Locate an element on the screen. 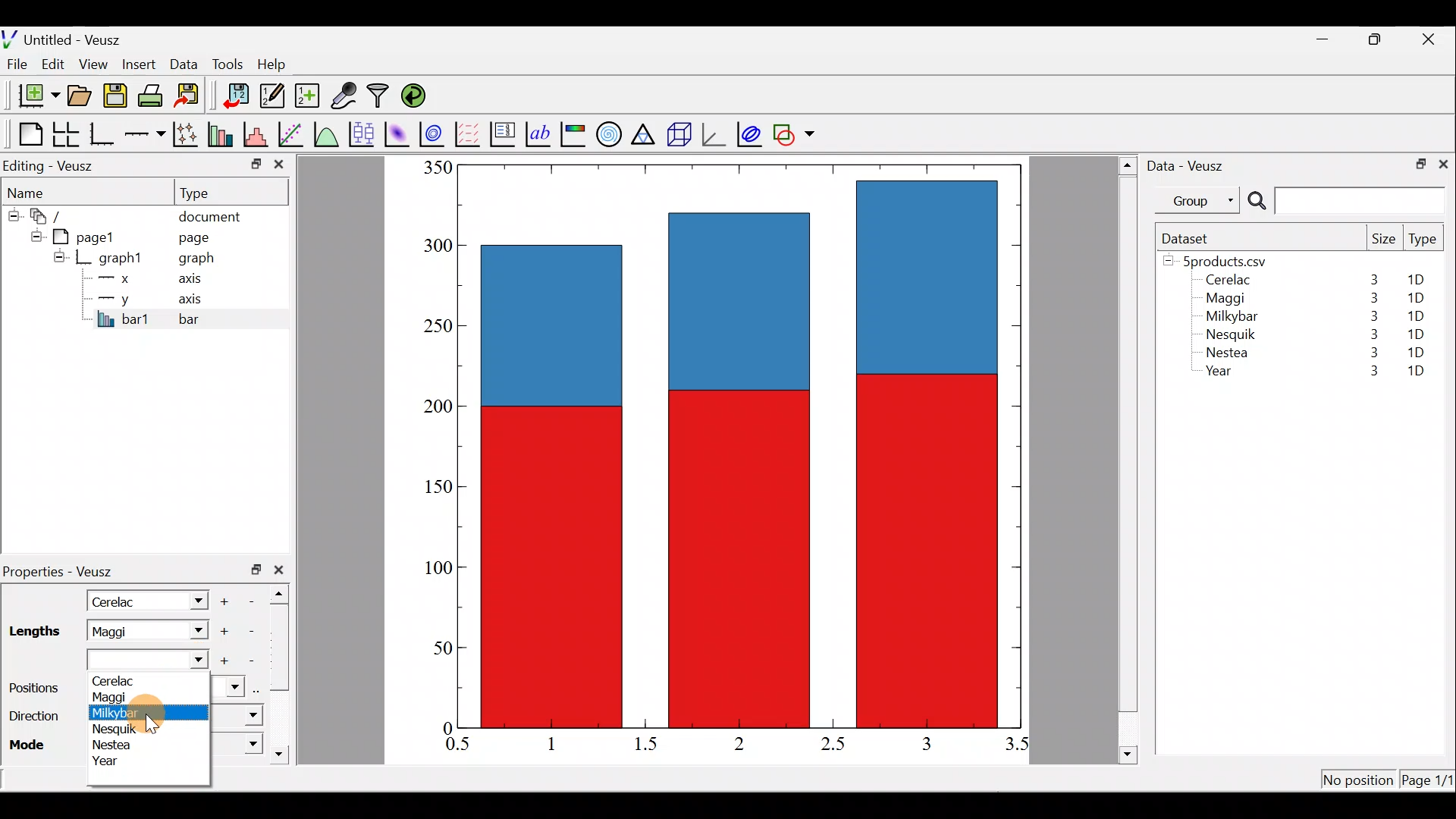 The image size is (1456, 819). 3 is located at coordinates (1371, 316).